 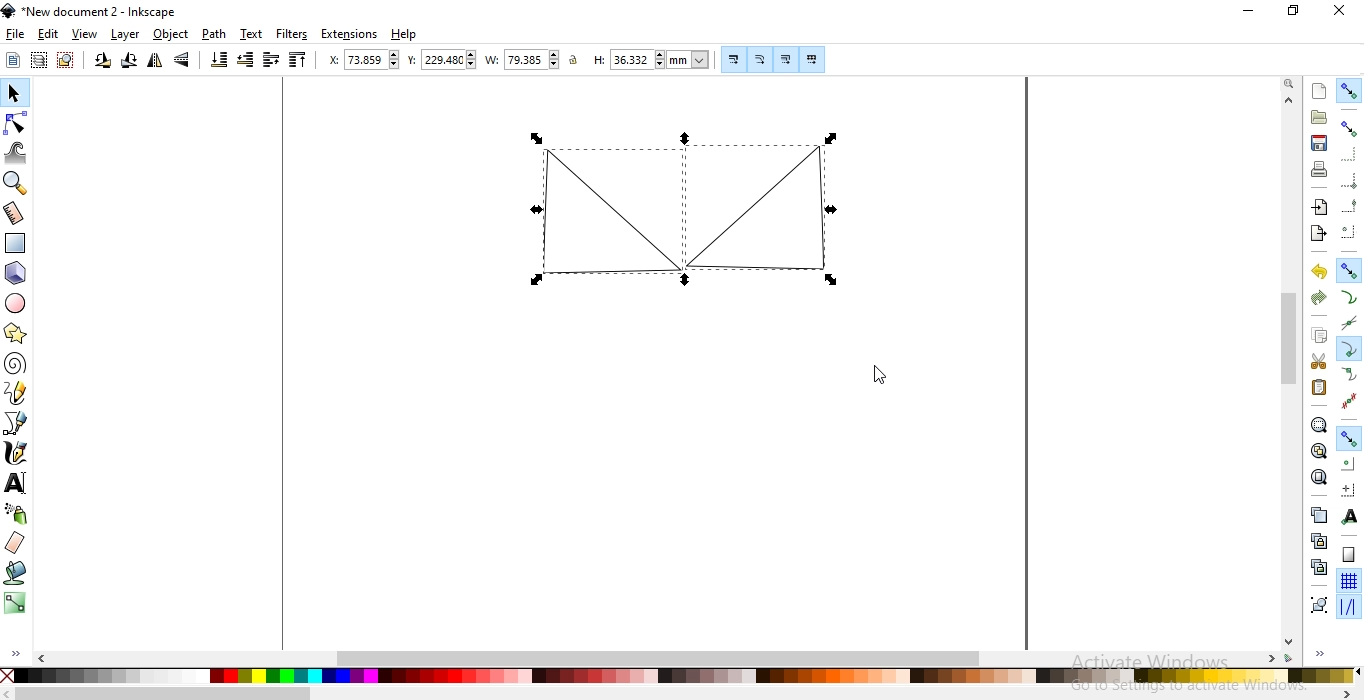 I want to click on enable snapping, so click(x=1349, y=91).